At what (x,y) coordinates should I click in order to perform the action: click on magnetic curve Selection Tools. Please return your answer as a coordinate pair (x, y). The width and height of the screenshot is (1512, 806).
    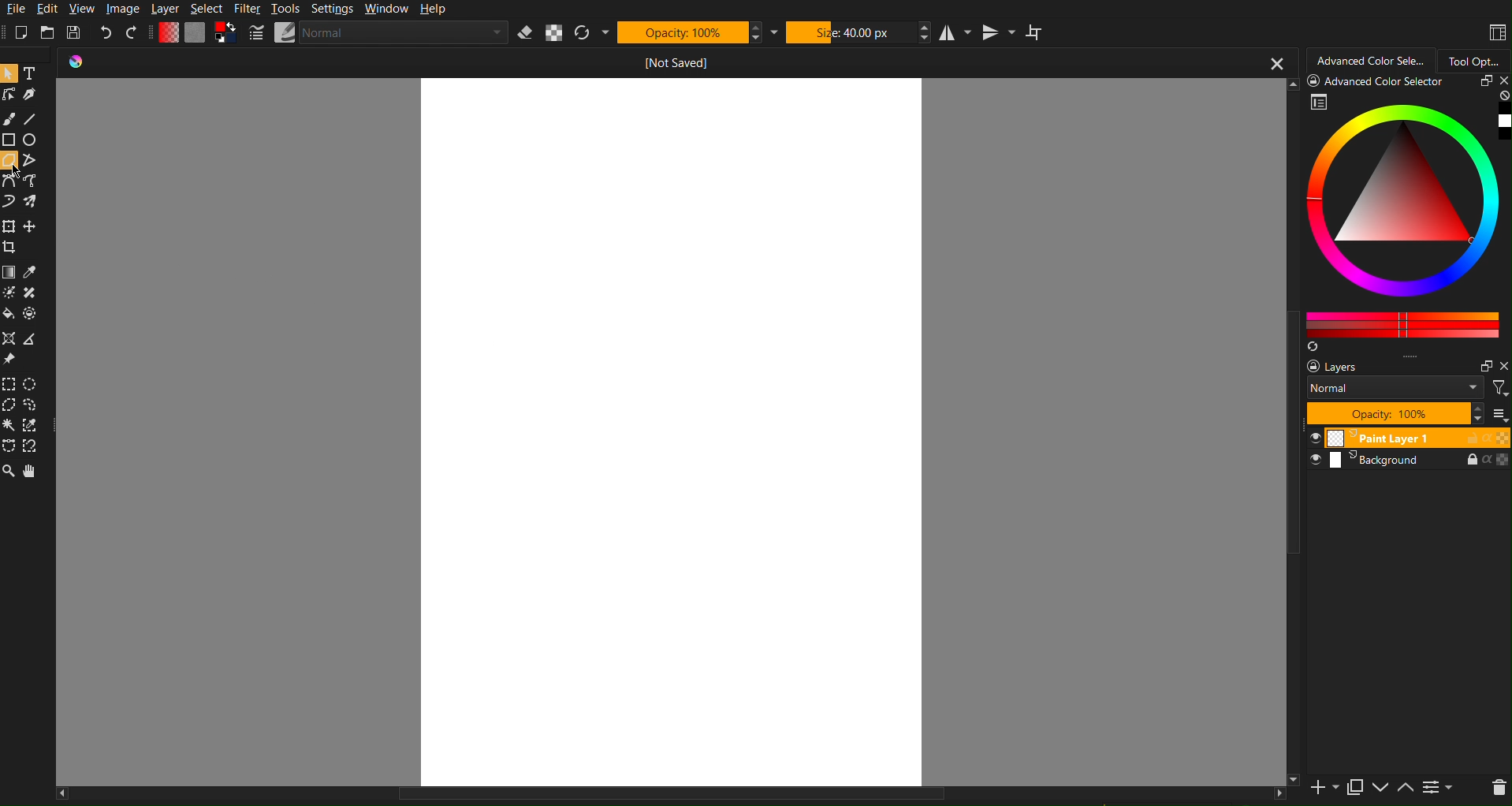
    Looking at the image, I should click on (36, 445).